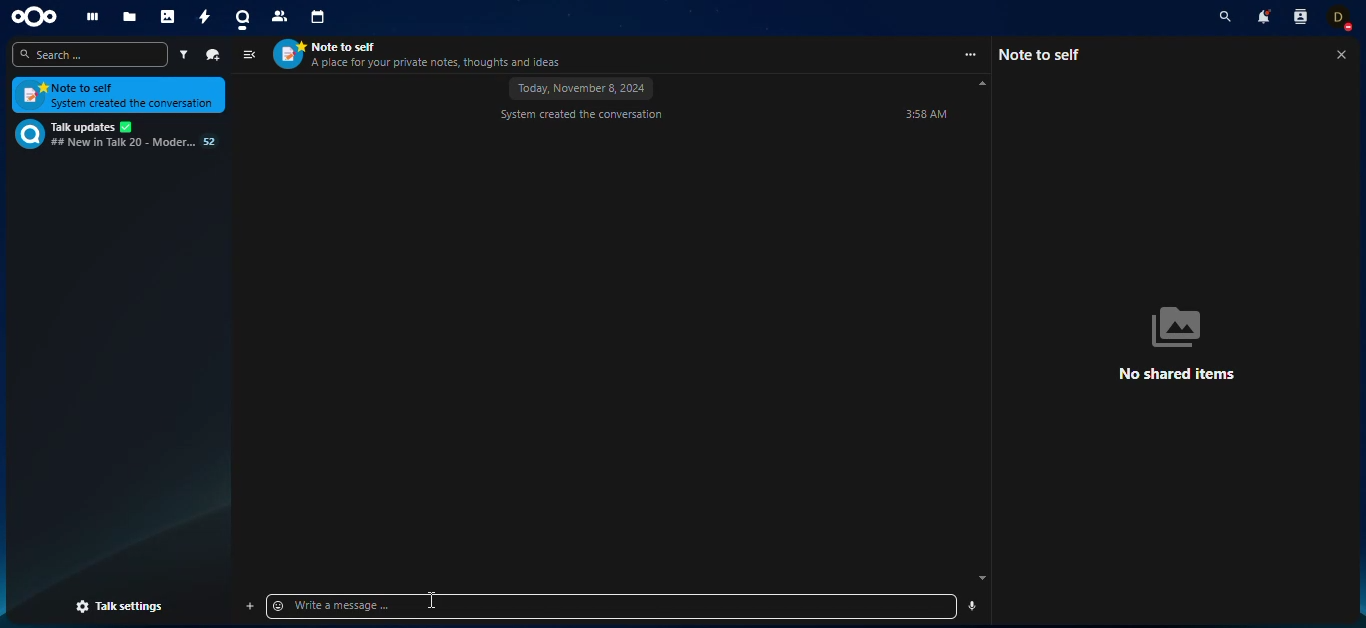 The height and width of the screenshot is (628, 1366). What do you see at coordinates (1300, 20) in the screenshot?
I see `contact` at bounding box center [1300, 20].